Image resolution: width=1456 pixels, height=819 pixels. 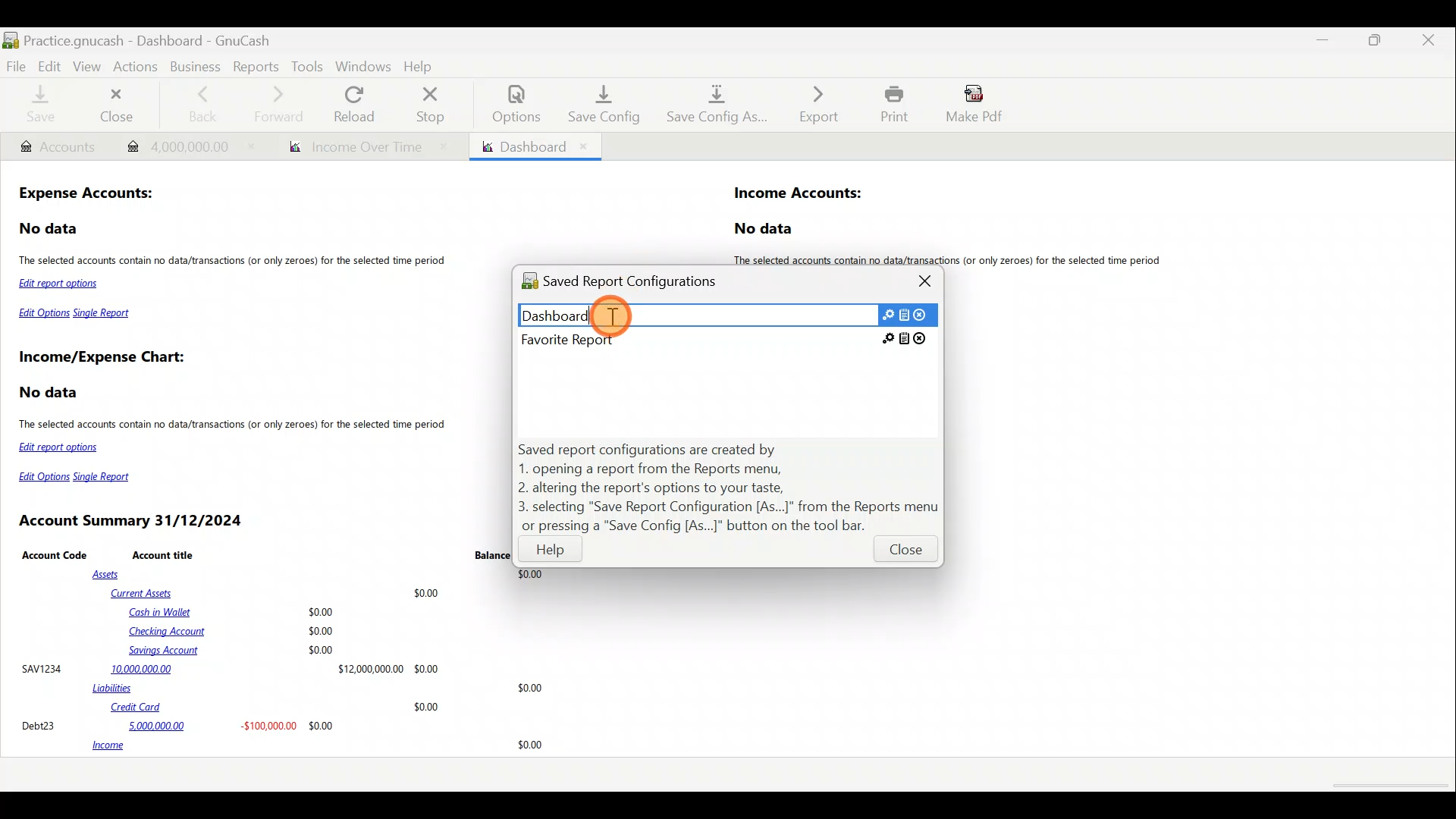 I want to click on Tools, so click(x=307, y=66).